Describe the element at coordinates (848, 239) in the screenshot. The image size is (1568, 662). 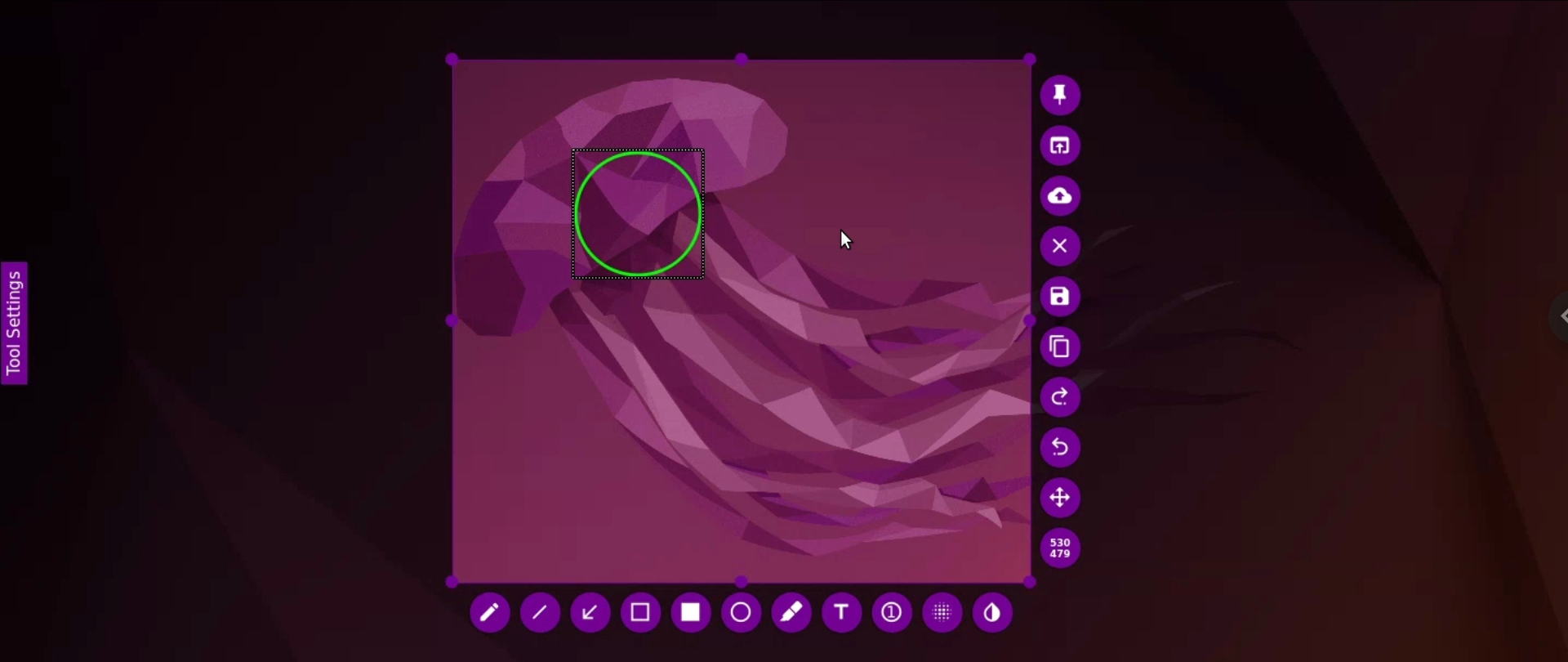
I see `cursor` at that location.